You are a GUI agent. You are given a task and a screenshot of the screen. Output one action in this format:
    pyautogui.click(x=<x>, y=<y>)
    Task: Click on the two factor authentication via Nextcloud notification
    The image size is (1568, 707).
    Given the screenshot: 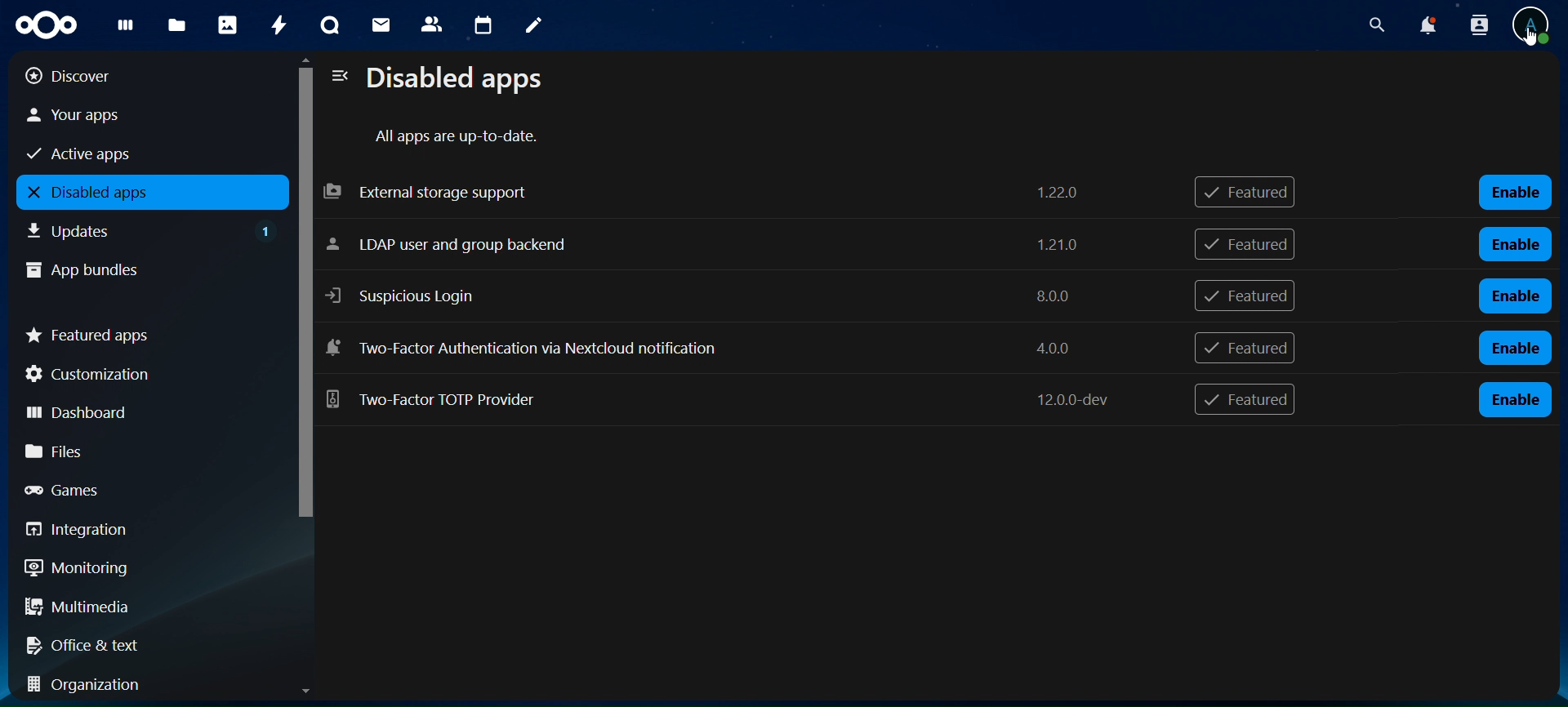 What is the action you would take?
    pyautogui.click(x=702, y=347)
    